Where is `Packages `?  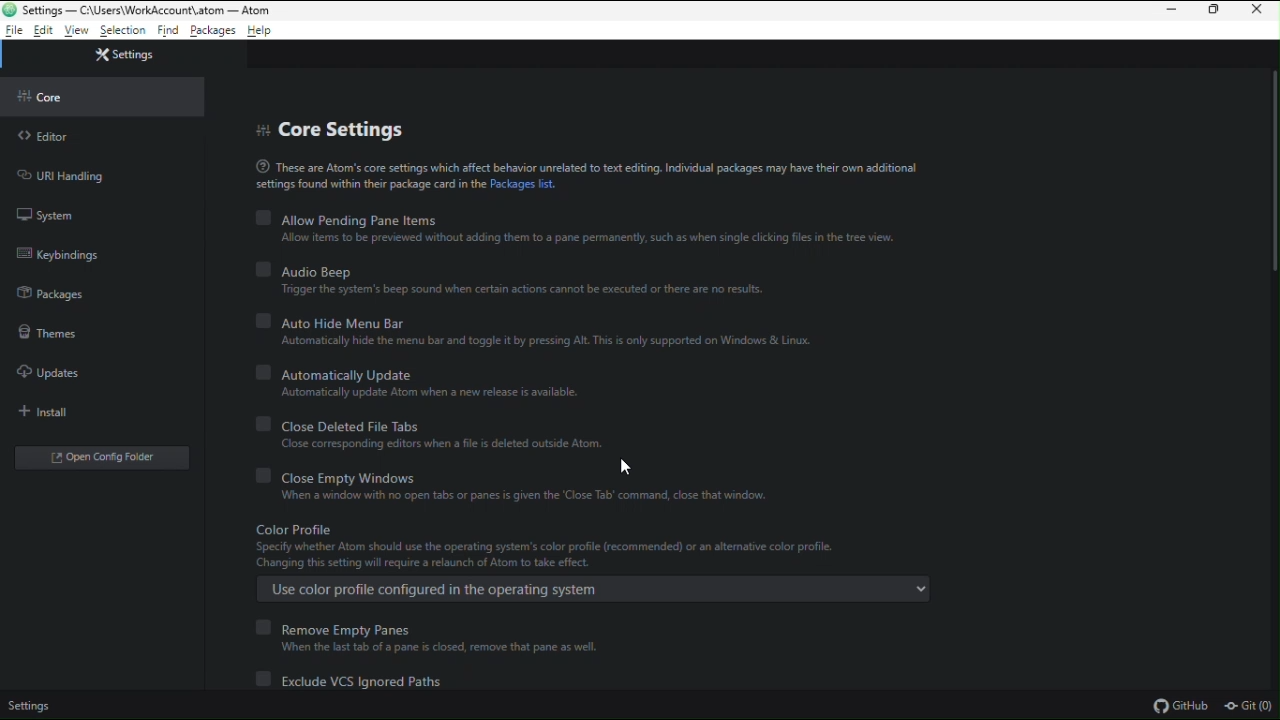
Packages  is located at coordinates (214, 32).